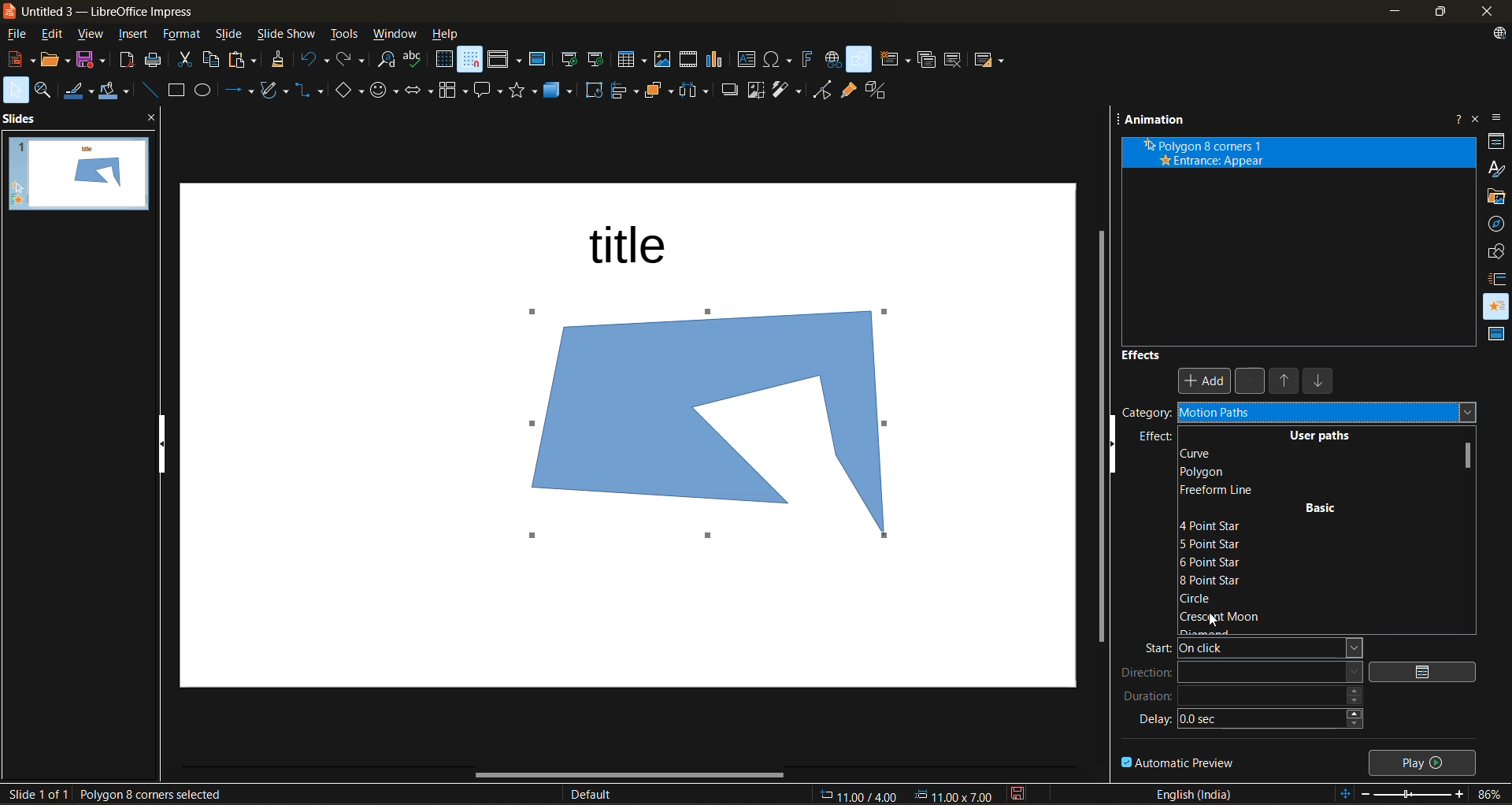 The width and height of the screenshot is (1512, 805). What do you see at coordinates (1496, 338) in the screenshot?
I see `master slides` at bounding box center [1496, 338].